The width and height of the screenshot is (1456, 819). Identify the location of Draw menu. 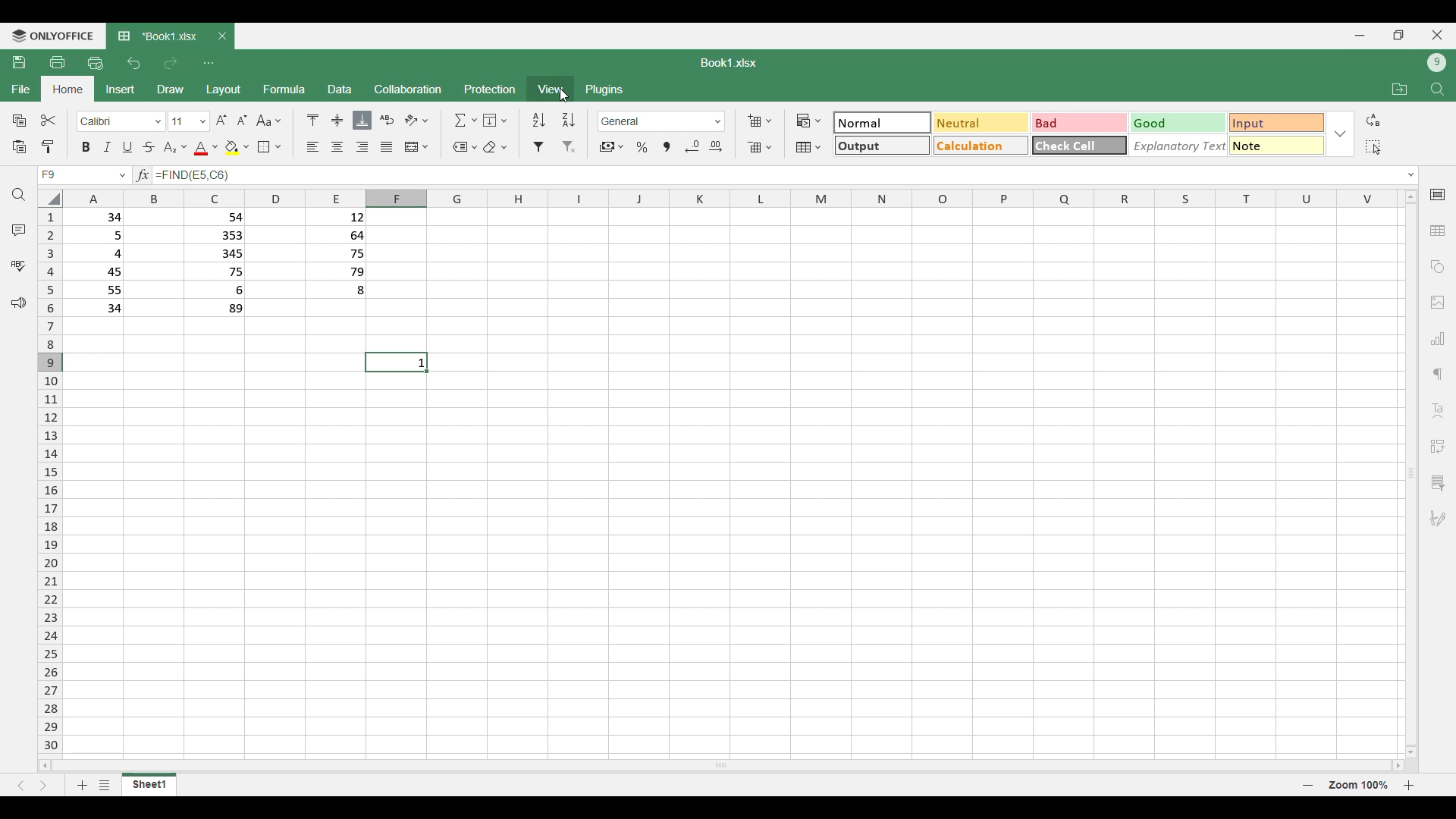
(171, 89).